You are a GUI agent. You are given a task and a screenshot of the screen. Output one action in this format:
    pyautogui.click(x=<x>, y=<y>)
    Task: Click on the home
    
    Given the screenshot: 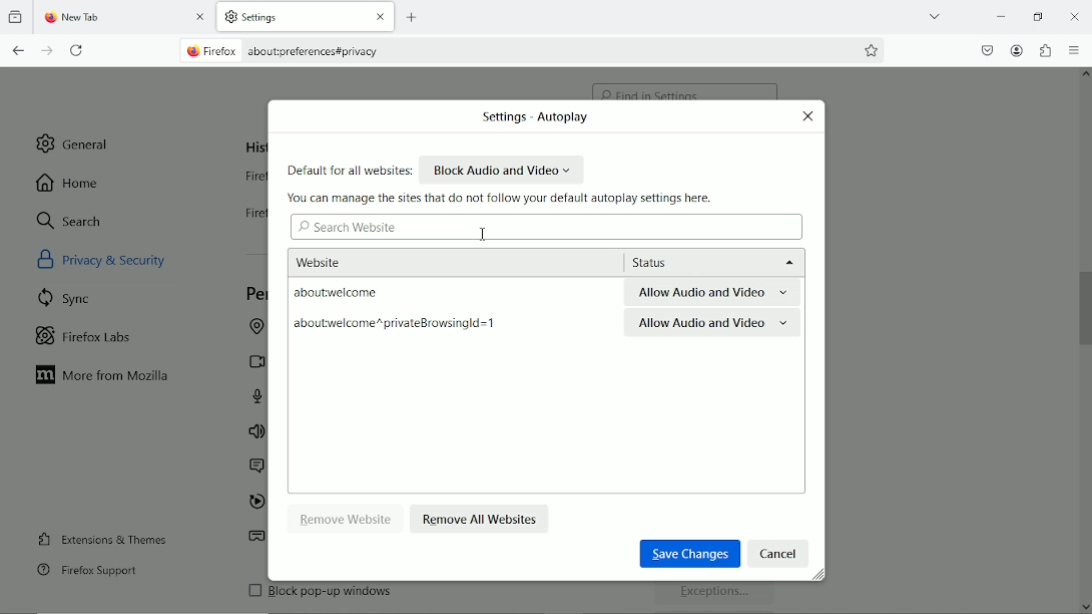 What is the action you would take?
    pyautogui.click(x=69, y=182)
    